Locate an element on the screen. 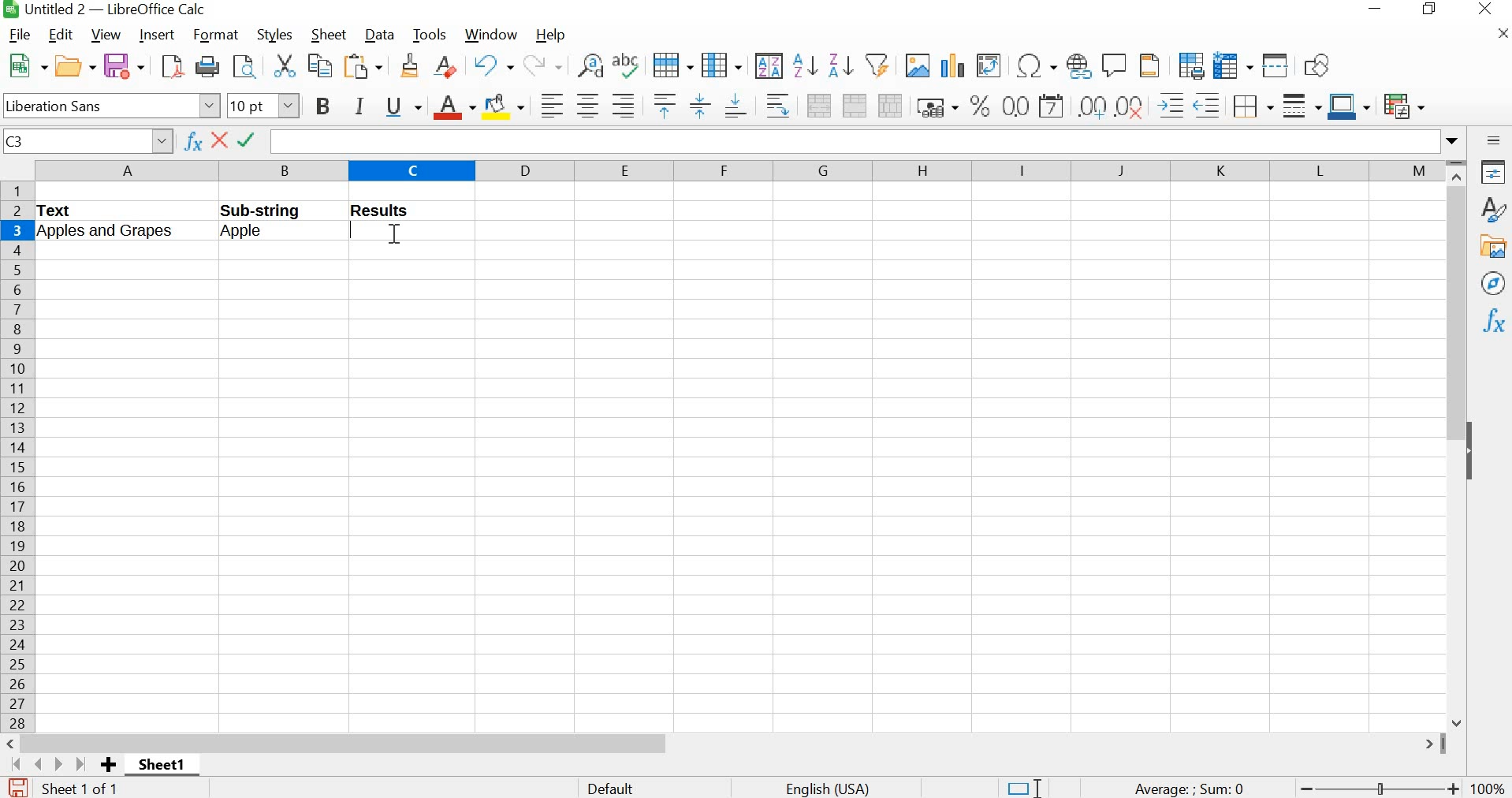  zoom out or zoom in is located at coordinates (1380, 787).